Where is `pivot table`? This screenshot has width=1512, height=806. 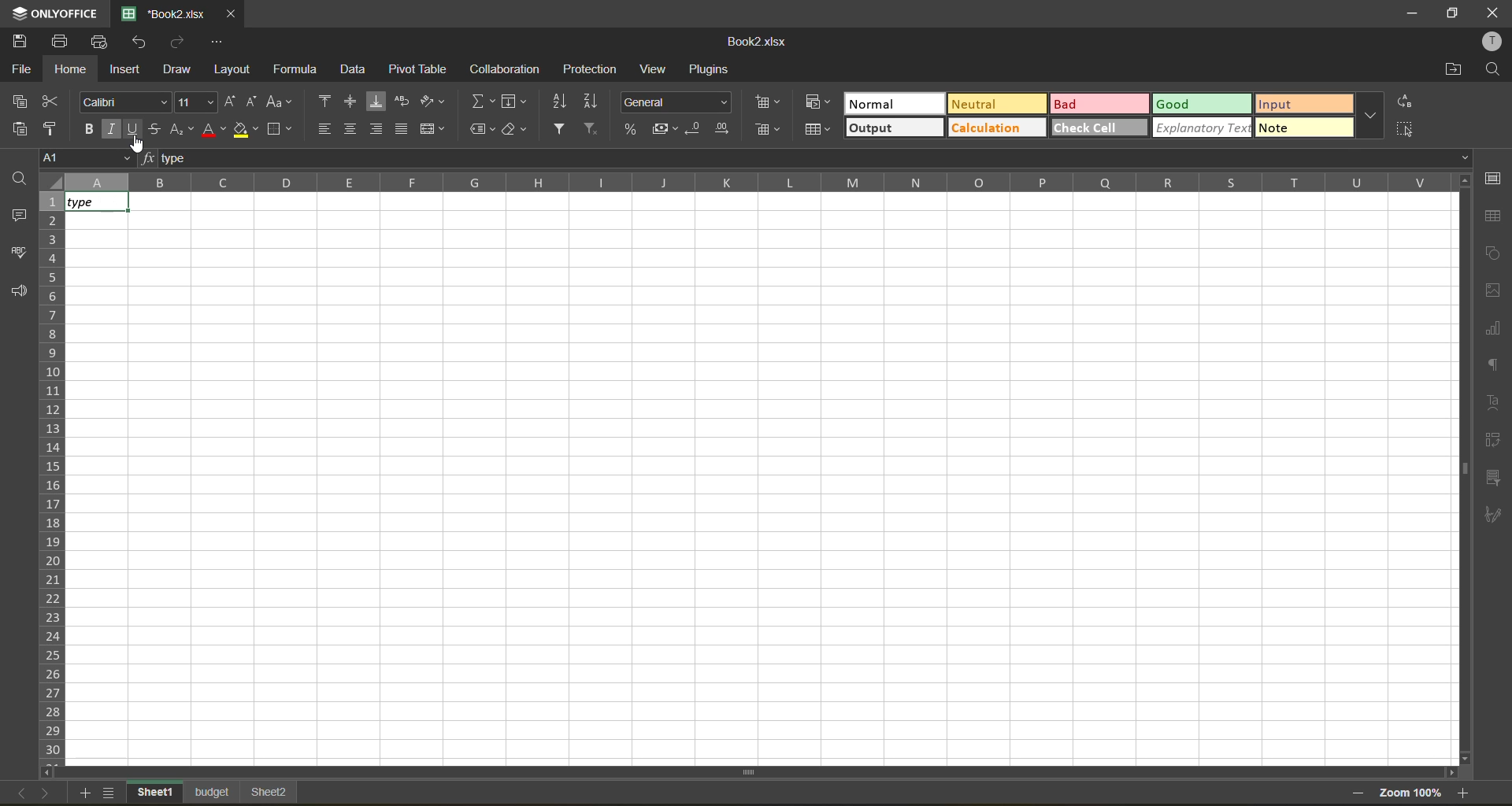 pivot table is located at coordinates (419, 70).